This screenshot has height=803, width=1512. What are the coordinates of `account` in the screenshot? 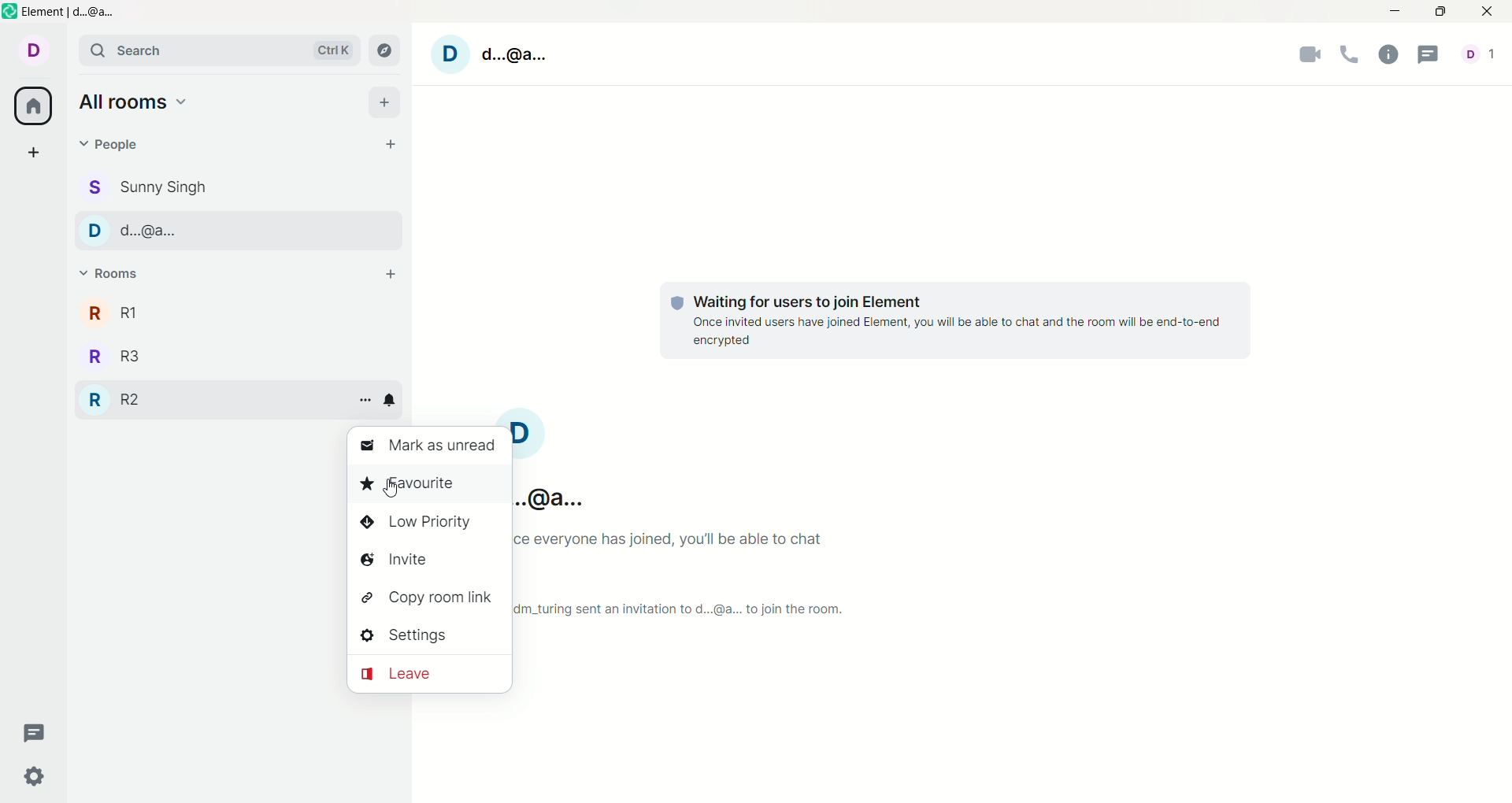 It's located at (495, 54).